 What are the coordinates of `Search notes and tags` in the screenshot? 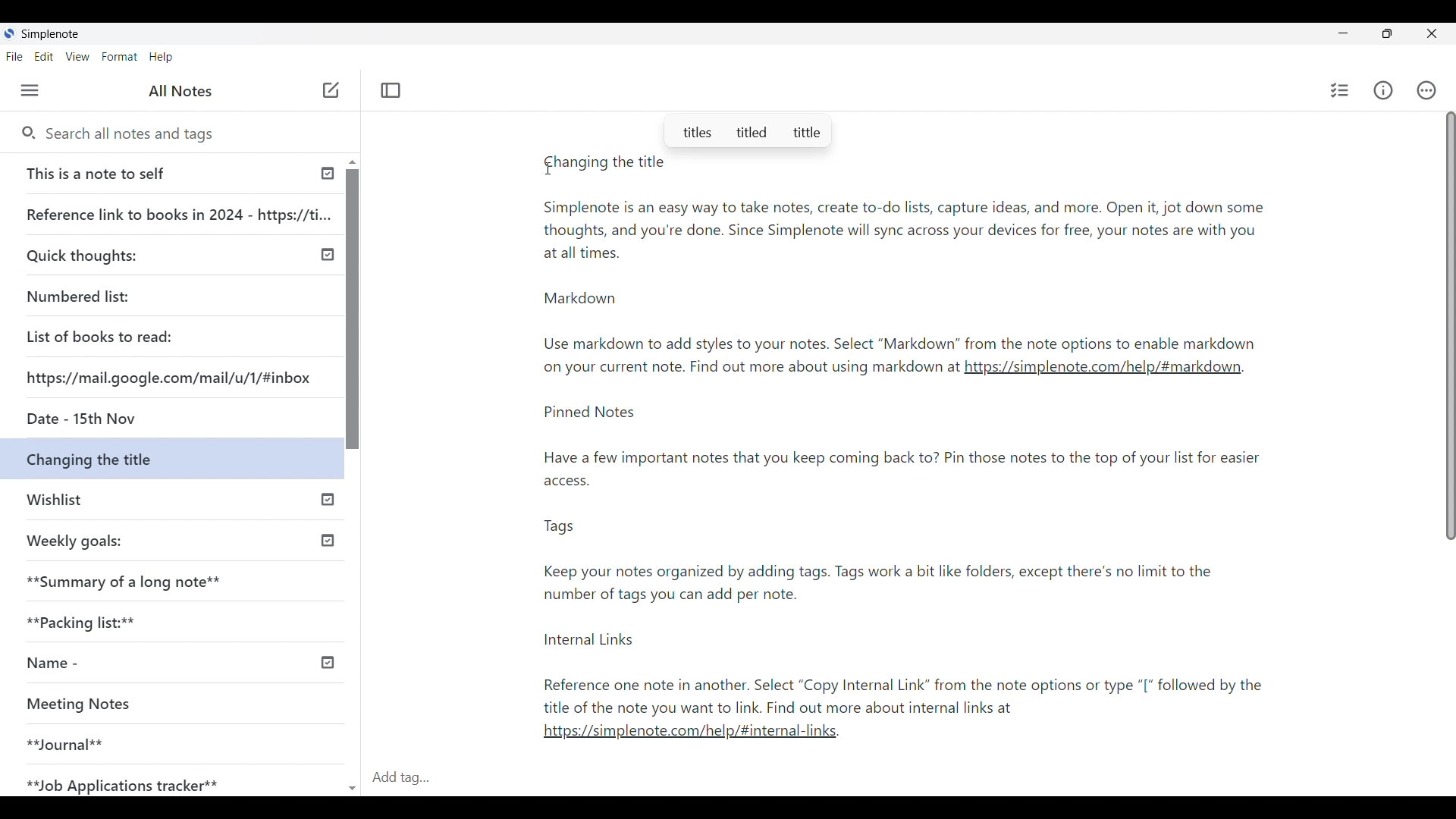 It's located at (190, 135).